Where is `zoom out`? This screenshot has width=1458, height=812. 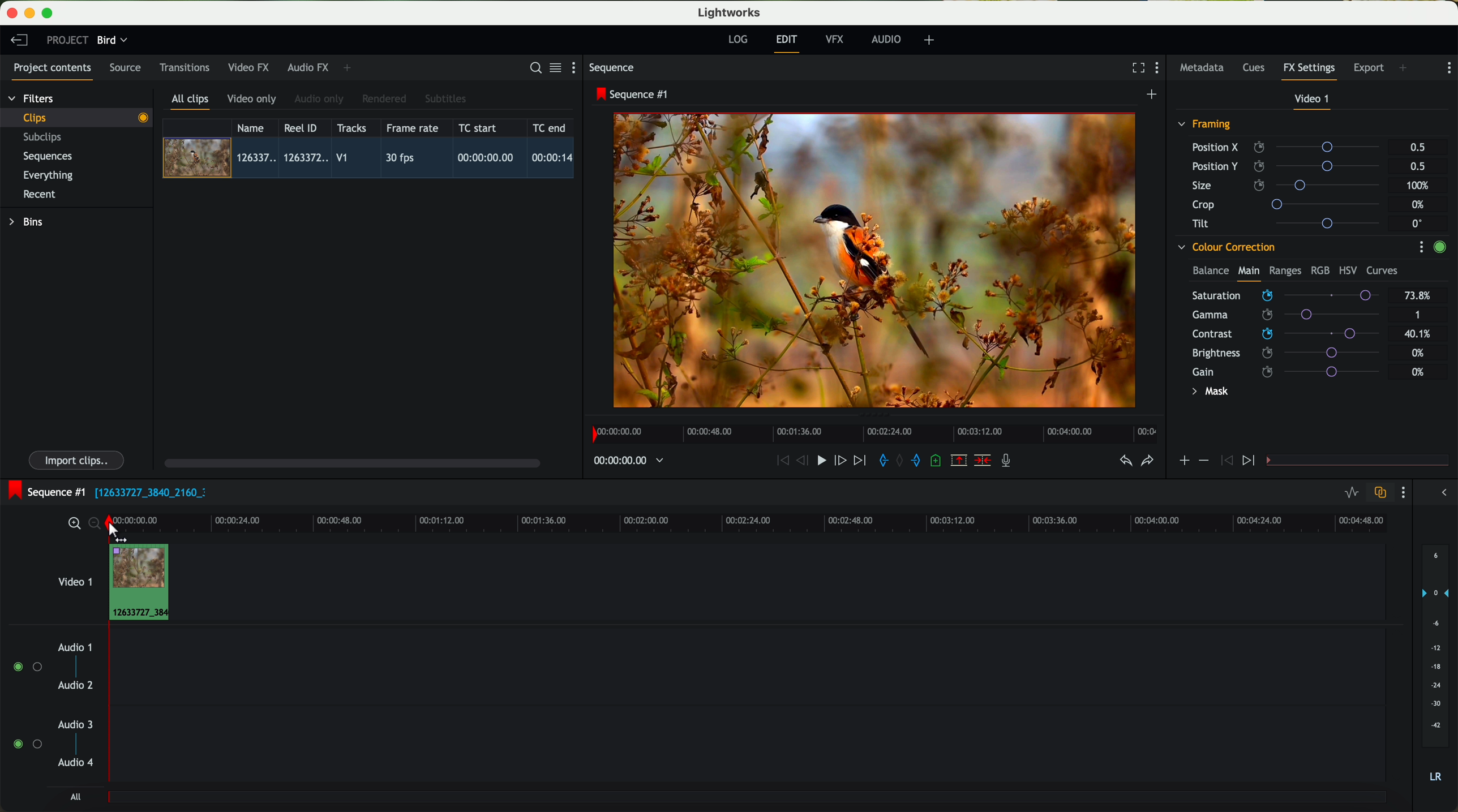
zoom out is located at coordinates (96, 525).